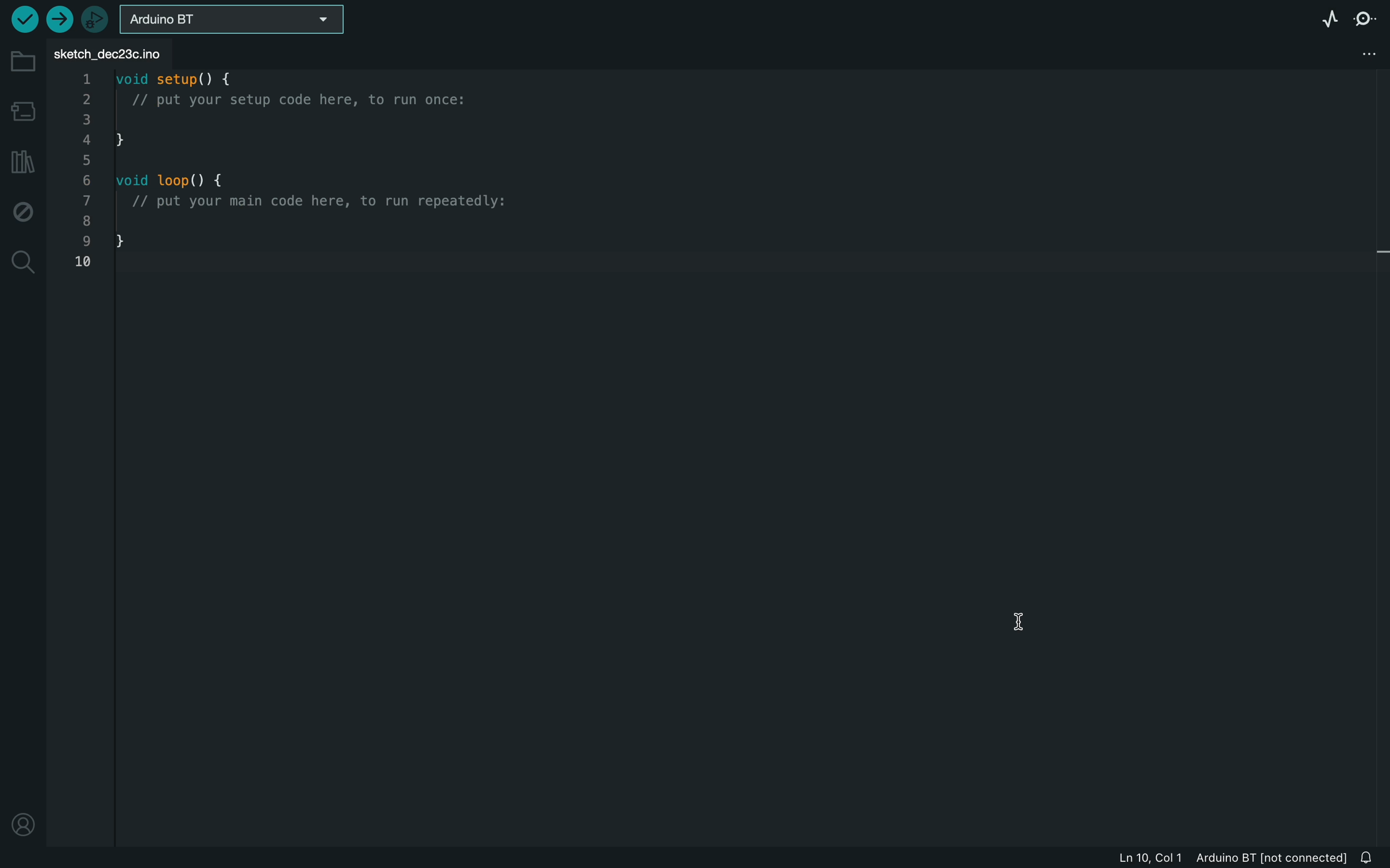 The image size is (1390, 868). Describe the element at coordinates (1361, 52) in the screenshot. I see `file settings` at that location.